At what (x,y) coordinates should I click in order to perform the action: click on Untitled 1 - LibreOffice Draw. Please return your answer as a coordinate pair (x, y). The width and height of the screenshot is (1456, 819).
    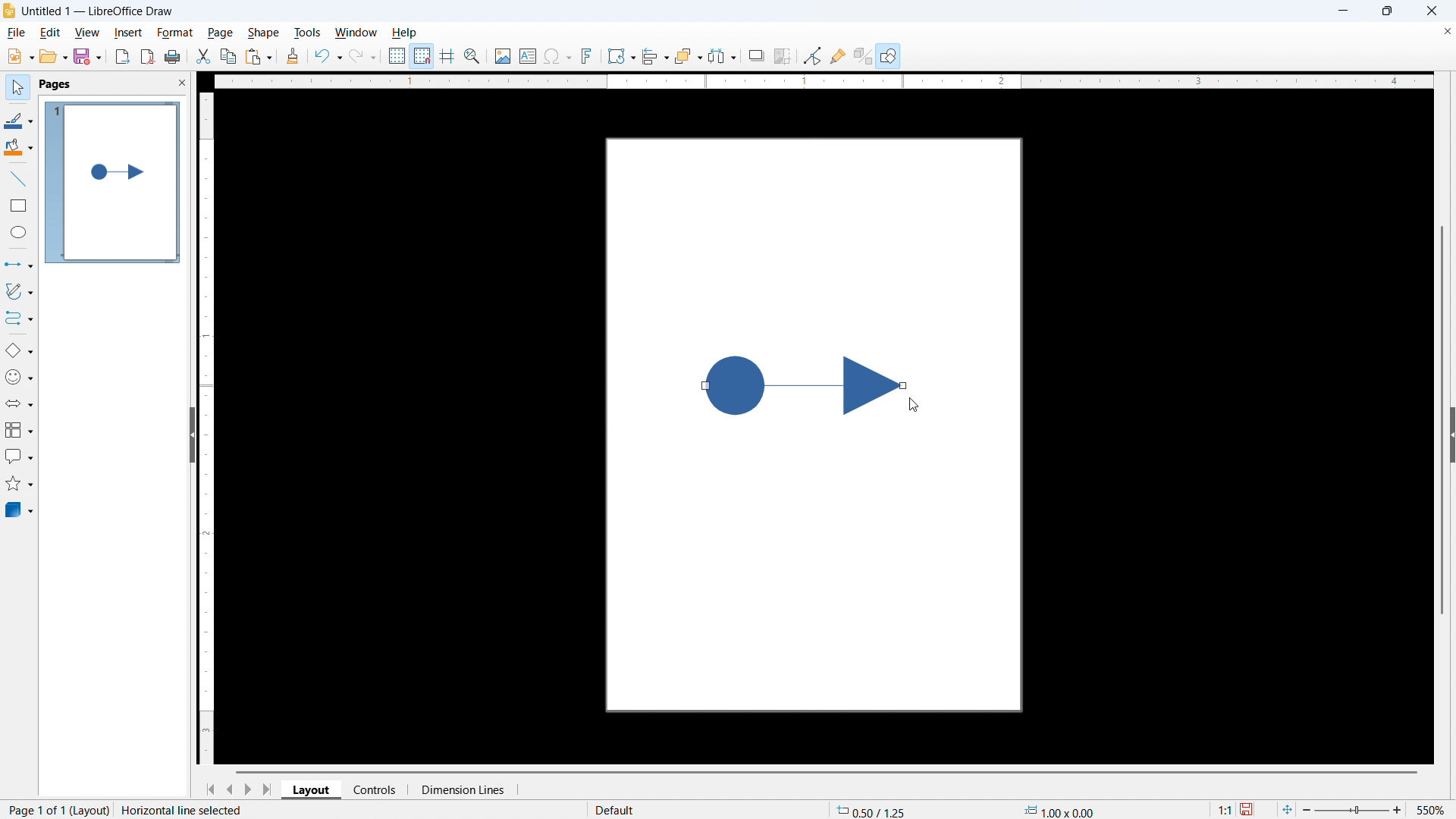
    Looking at the image, I should click on (99, 11).